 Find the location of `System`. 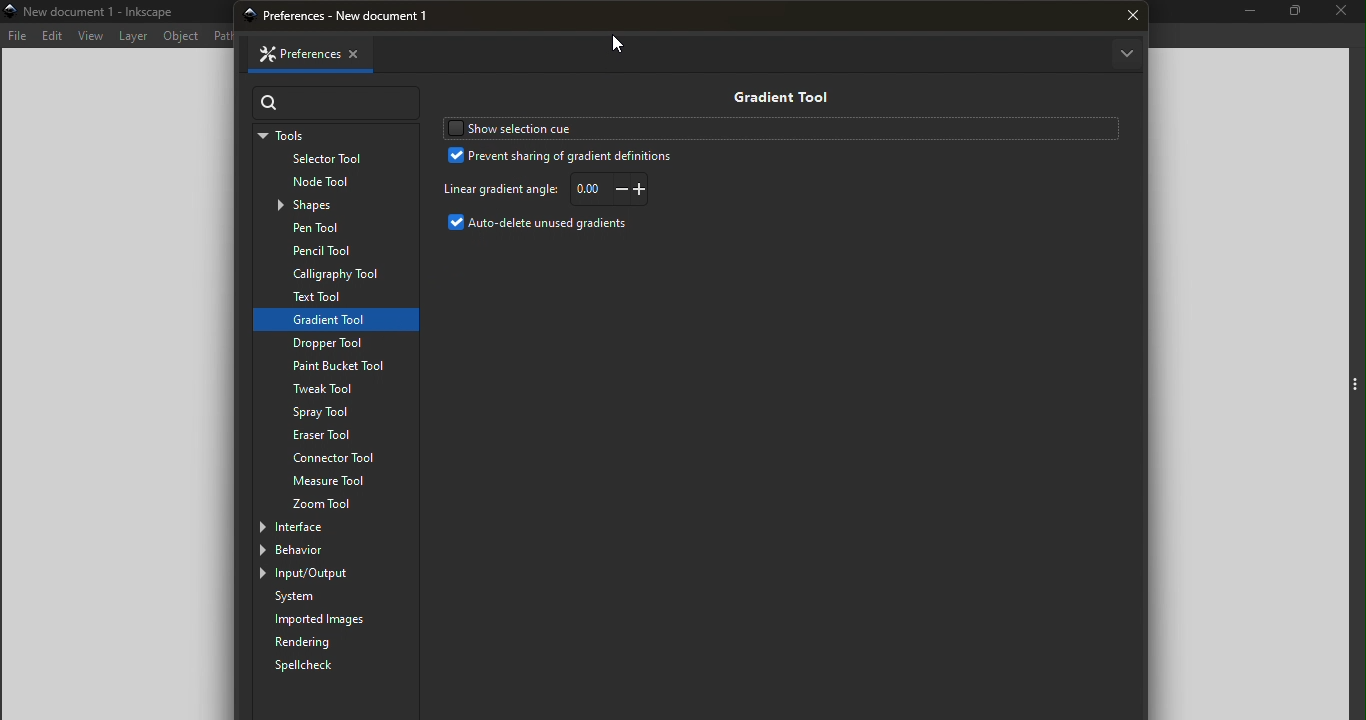

System is located at coordinates (340, 597).